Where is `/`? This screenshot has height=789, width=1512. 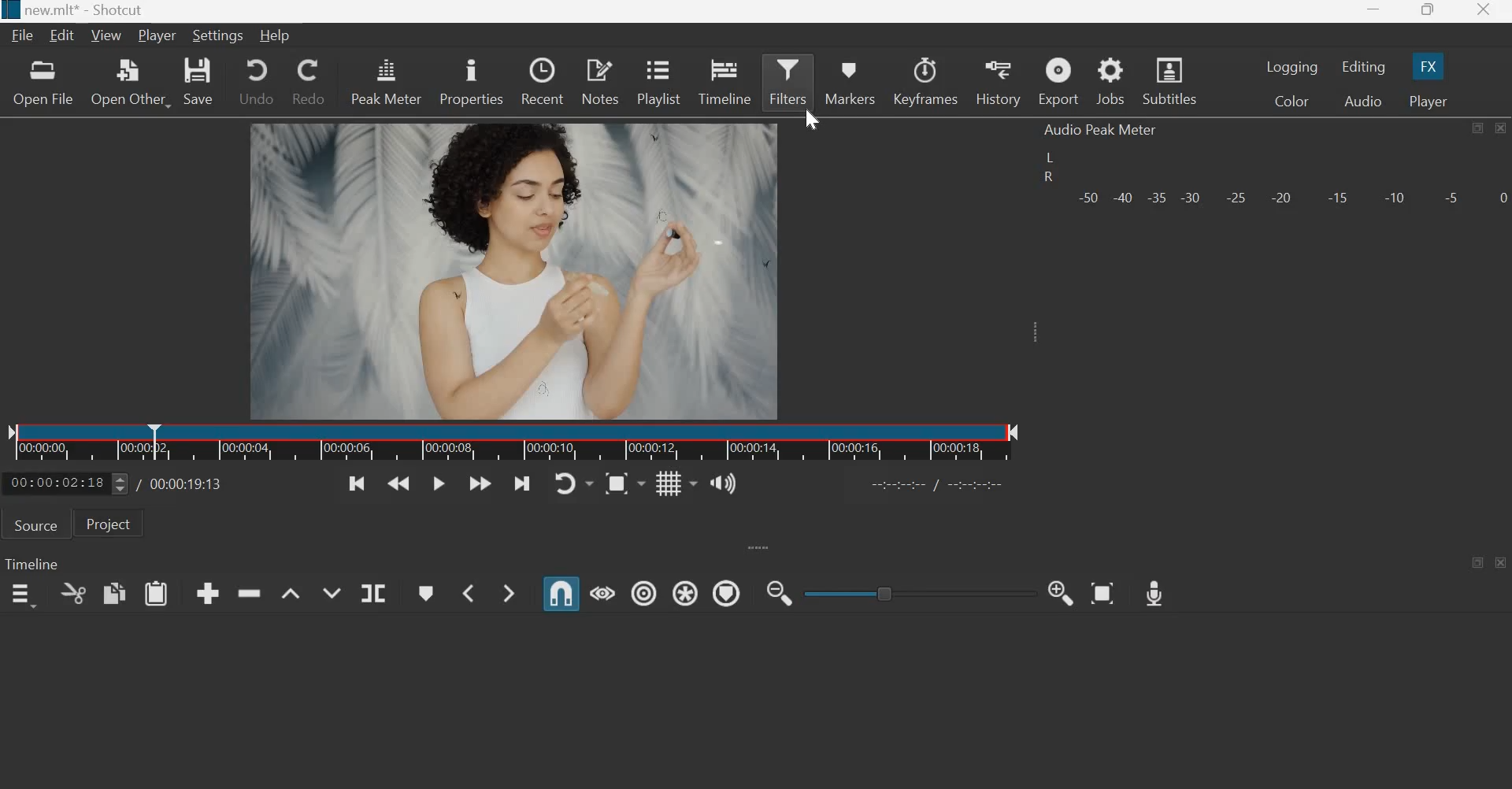 / is located at coordinates (143, 483).